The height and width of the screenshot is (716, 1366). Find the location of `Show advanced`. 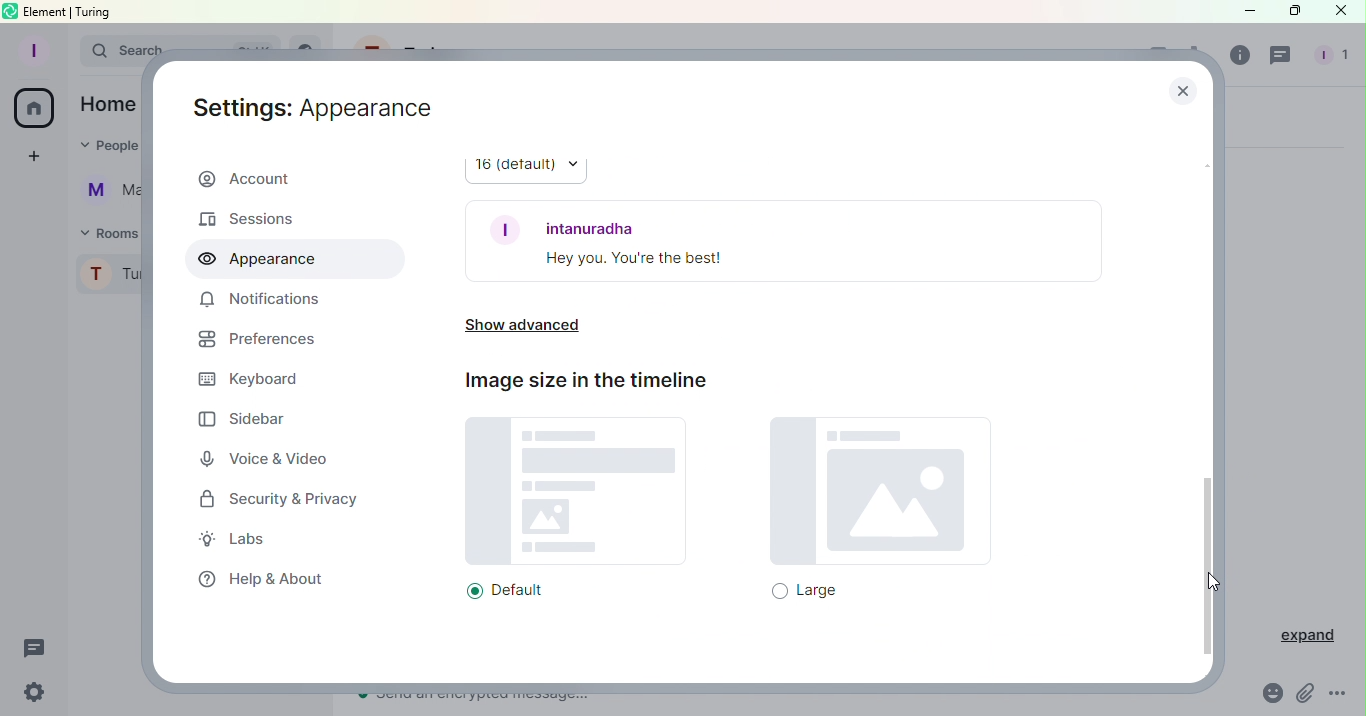

Show advanced is located at coordinates (523, 325).